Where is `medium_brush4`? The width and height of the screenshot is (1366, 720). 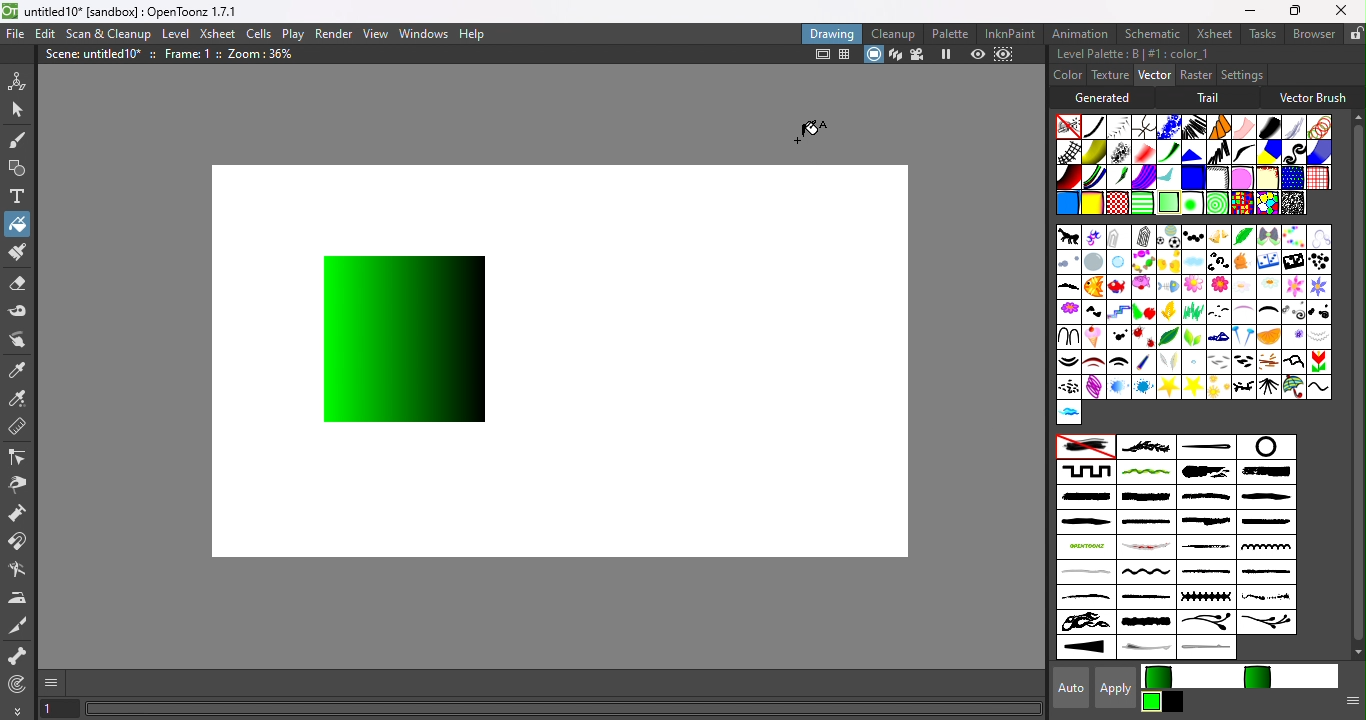 medium_brush4 is located at coordinates (1264, 523).